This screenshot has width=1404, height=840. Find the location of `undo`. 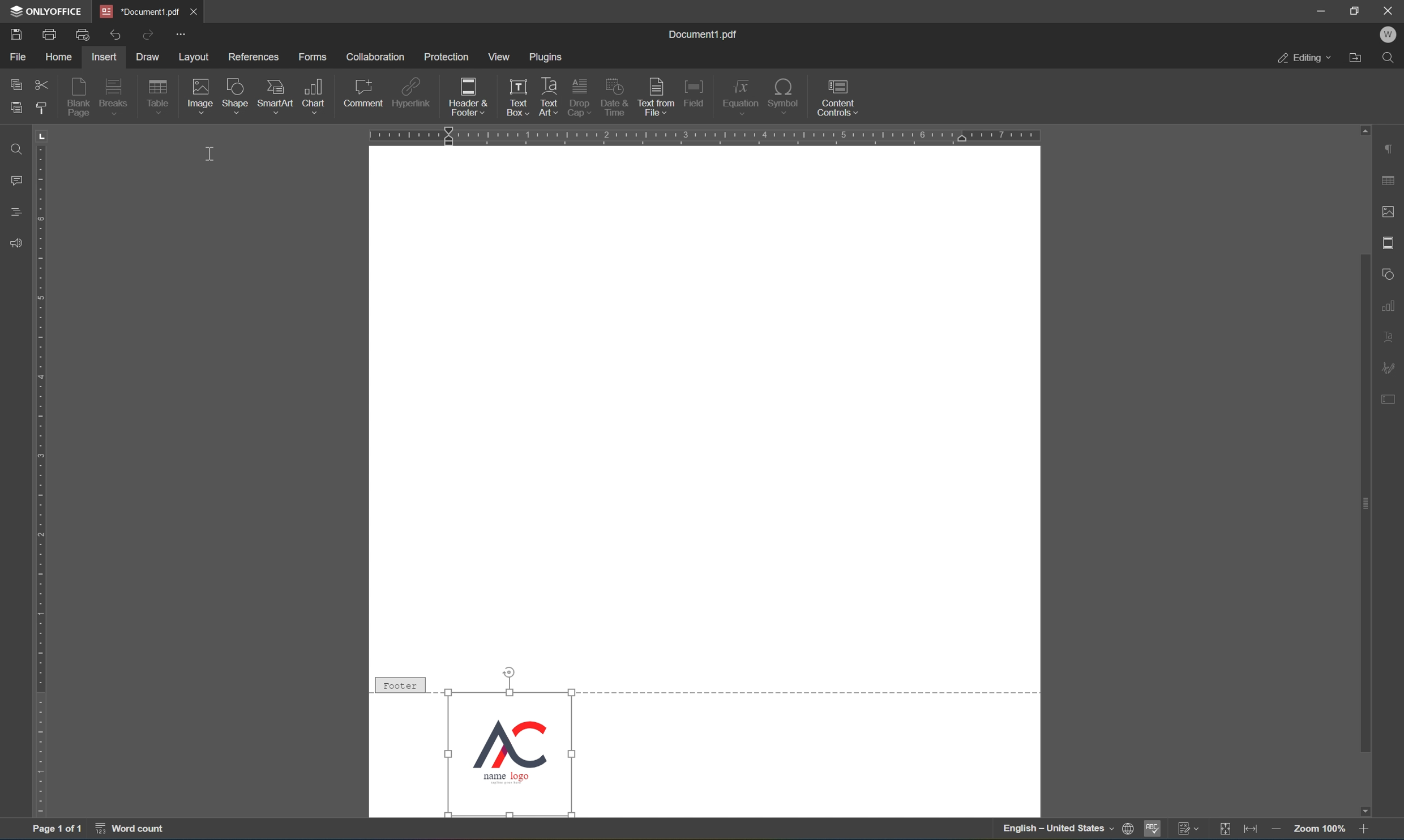

undo is located at coordinates (112, 35).